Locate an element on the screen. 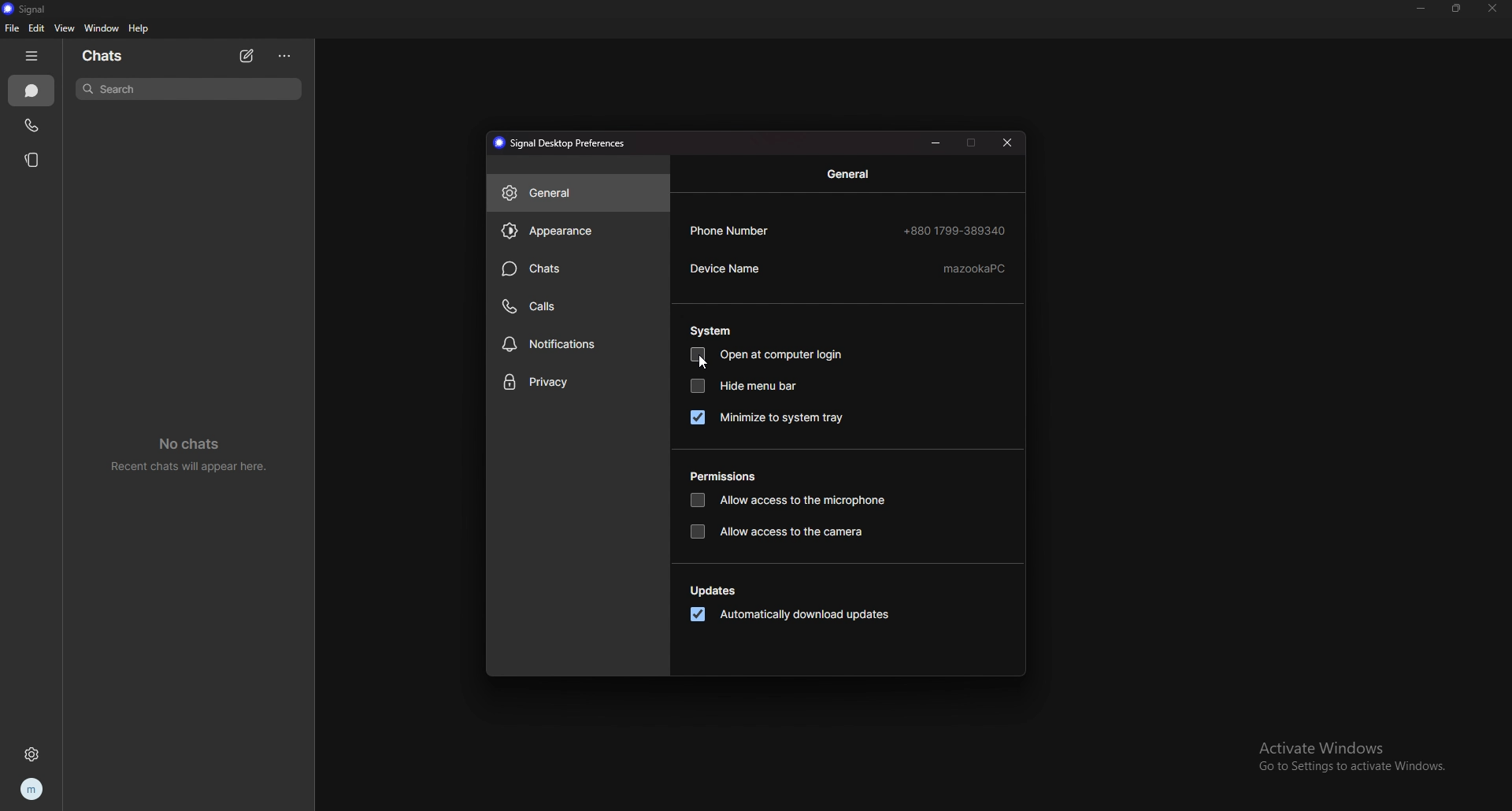 The image size is (1512, 811). resize is located at coordinates (1457, 8).